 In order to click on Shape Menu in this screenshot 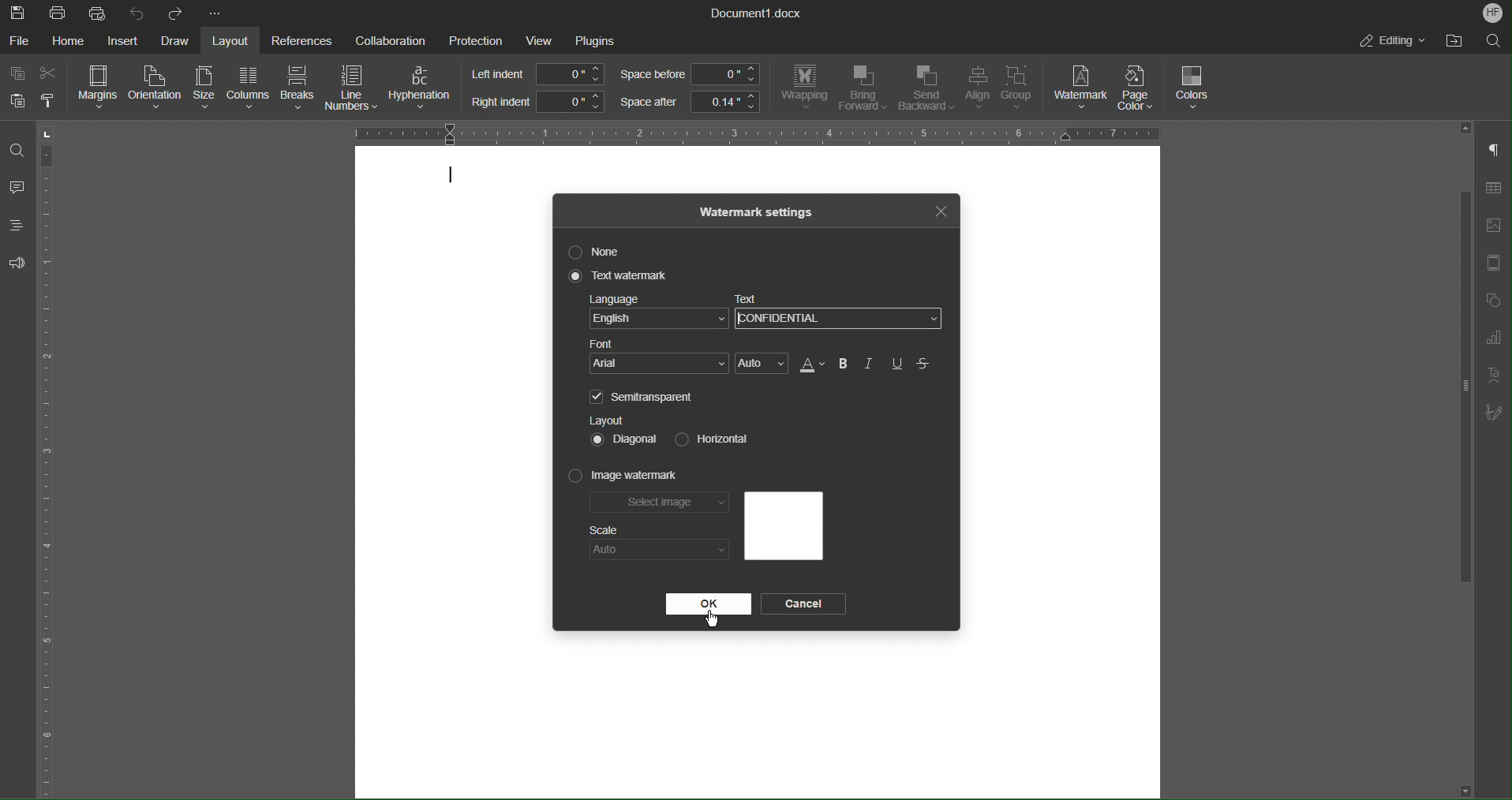, I will do `click(1491, 302)`.